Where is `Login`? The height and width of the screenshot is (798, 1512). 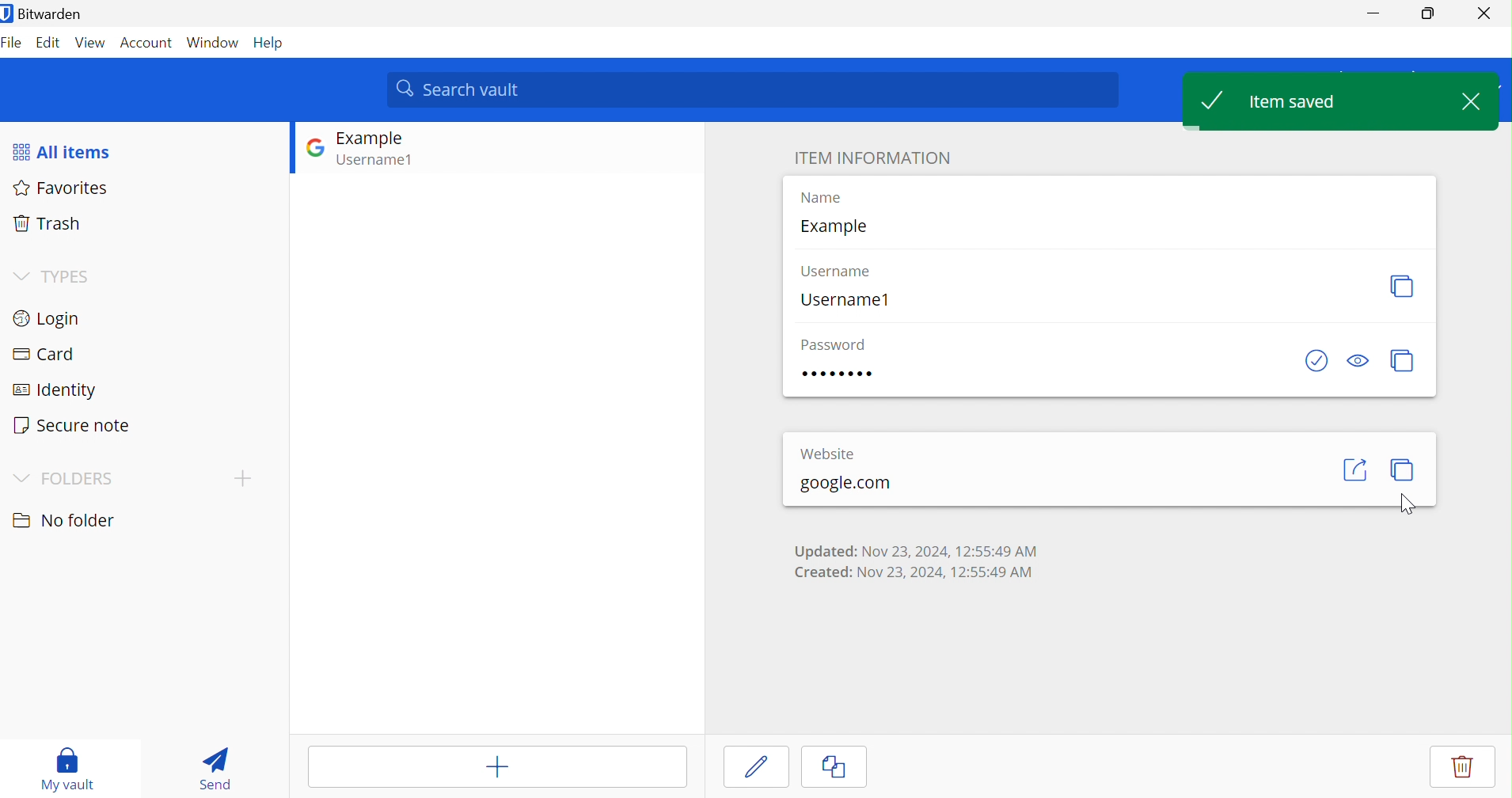
Login is located at coordinates (47, 317).